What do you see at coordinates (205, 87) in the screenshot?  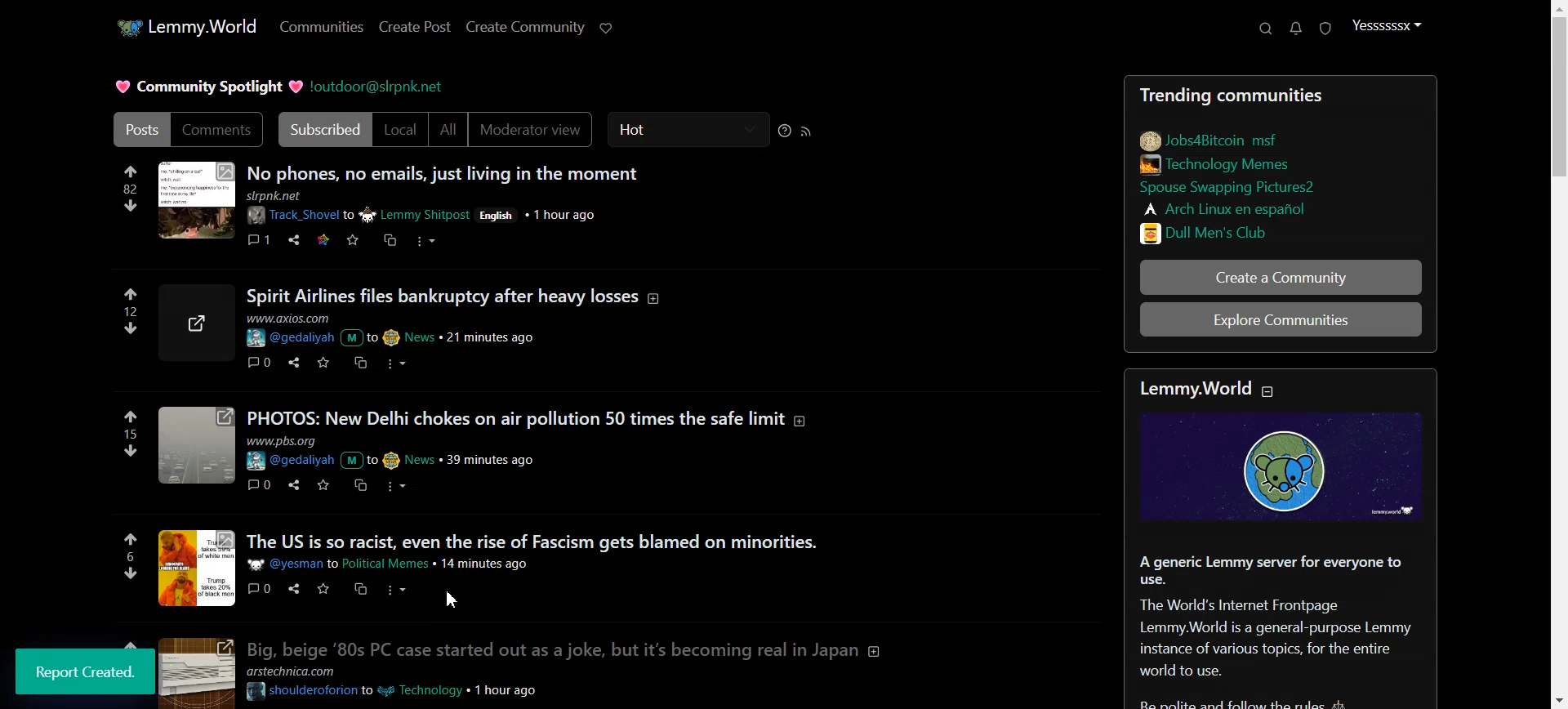 I see `Text` at bounding box center [205, 87].